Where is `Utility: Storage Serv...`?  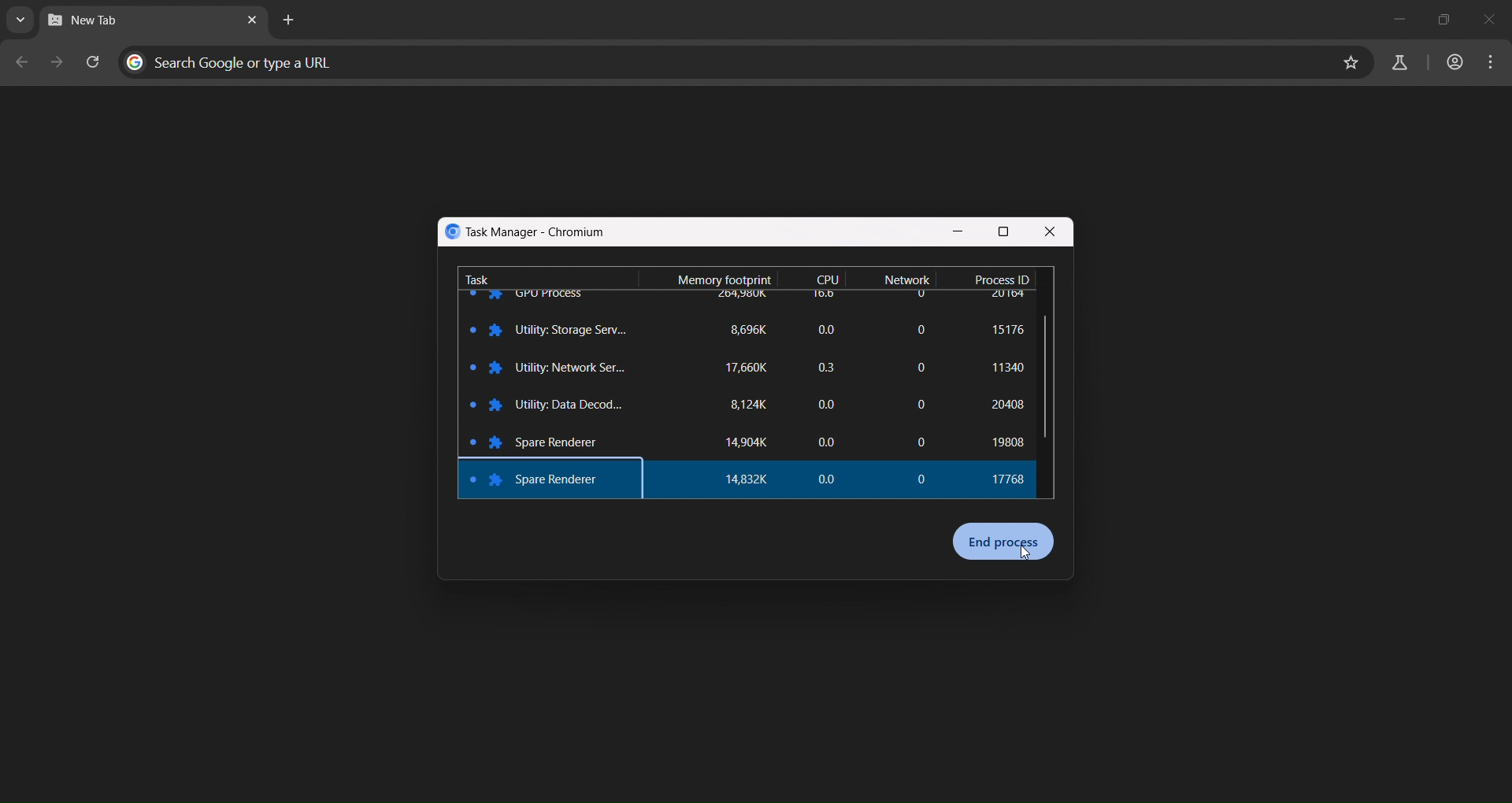
Utility: Storage Serv... is located at coordinates (573, 329).